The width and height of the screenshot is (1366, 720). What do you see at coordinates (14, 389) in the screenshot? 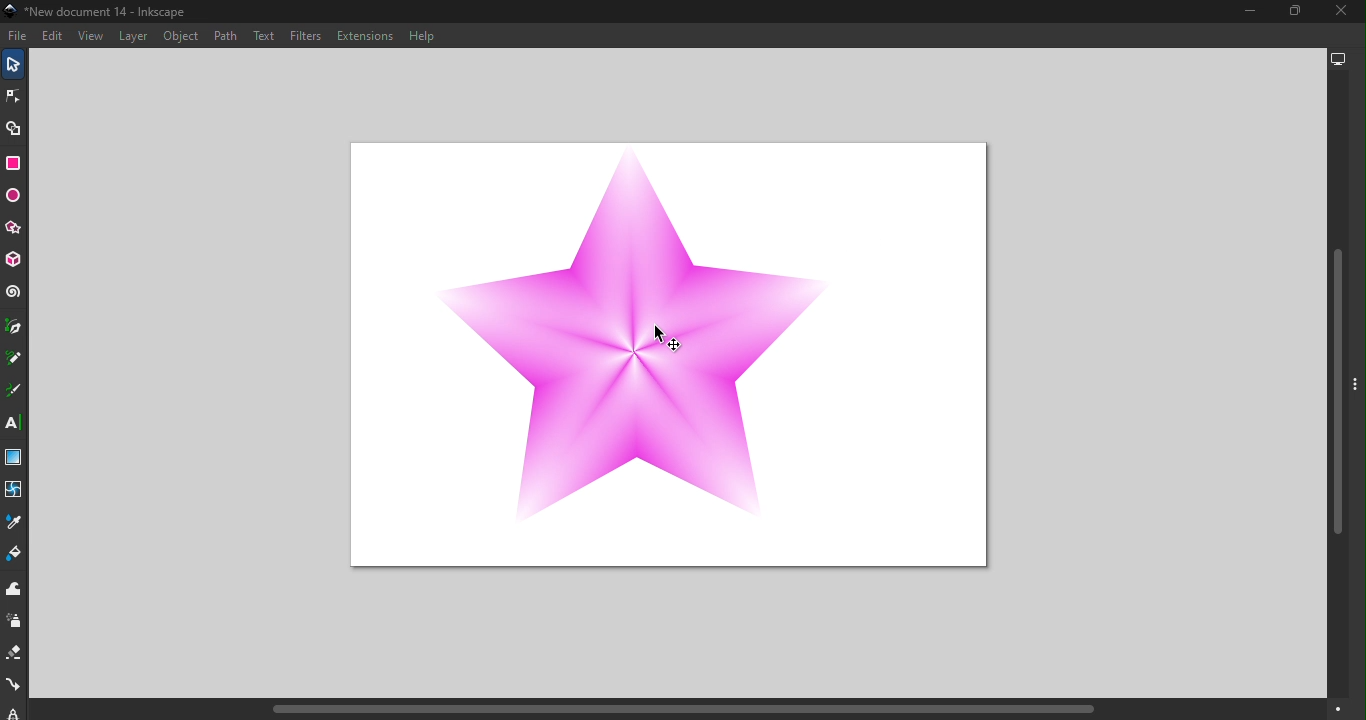
I see `Calligraphy tool` at bounding box center [14, 389].